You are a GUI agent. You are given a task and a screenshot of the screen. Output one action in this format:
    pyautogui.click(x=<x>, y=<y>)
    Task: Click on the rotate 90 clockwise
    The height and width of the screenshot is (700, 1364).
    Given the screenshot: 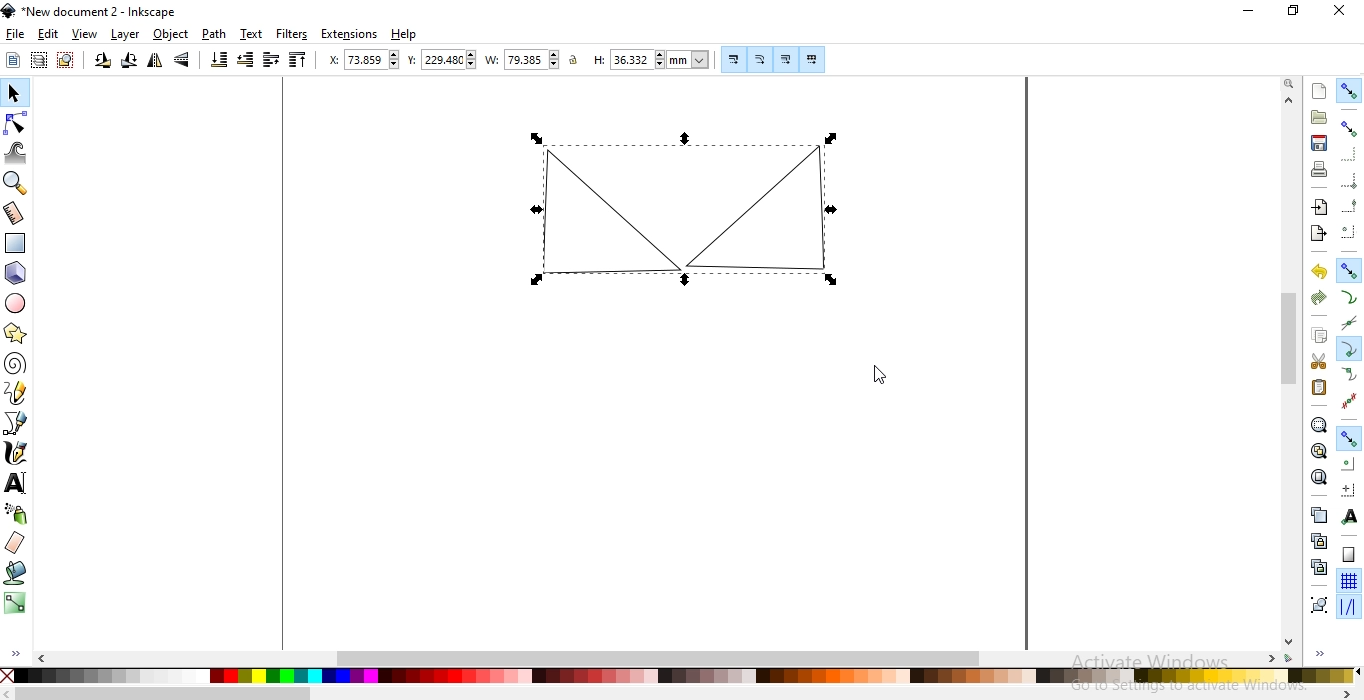 What is the action you would take?
    pyautogui.click(x=130, y=61)
    